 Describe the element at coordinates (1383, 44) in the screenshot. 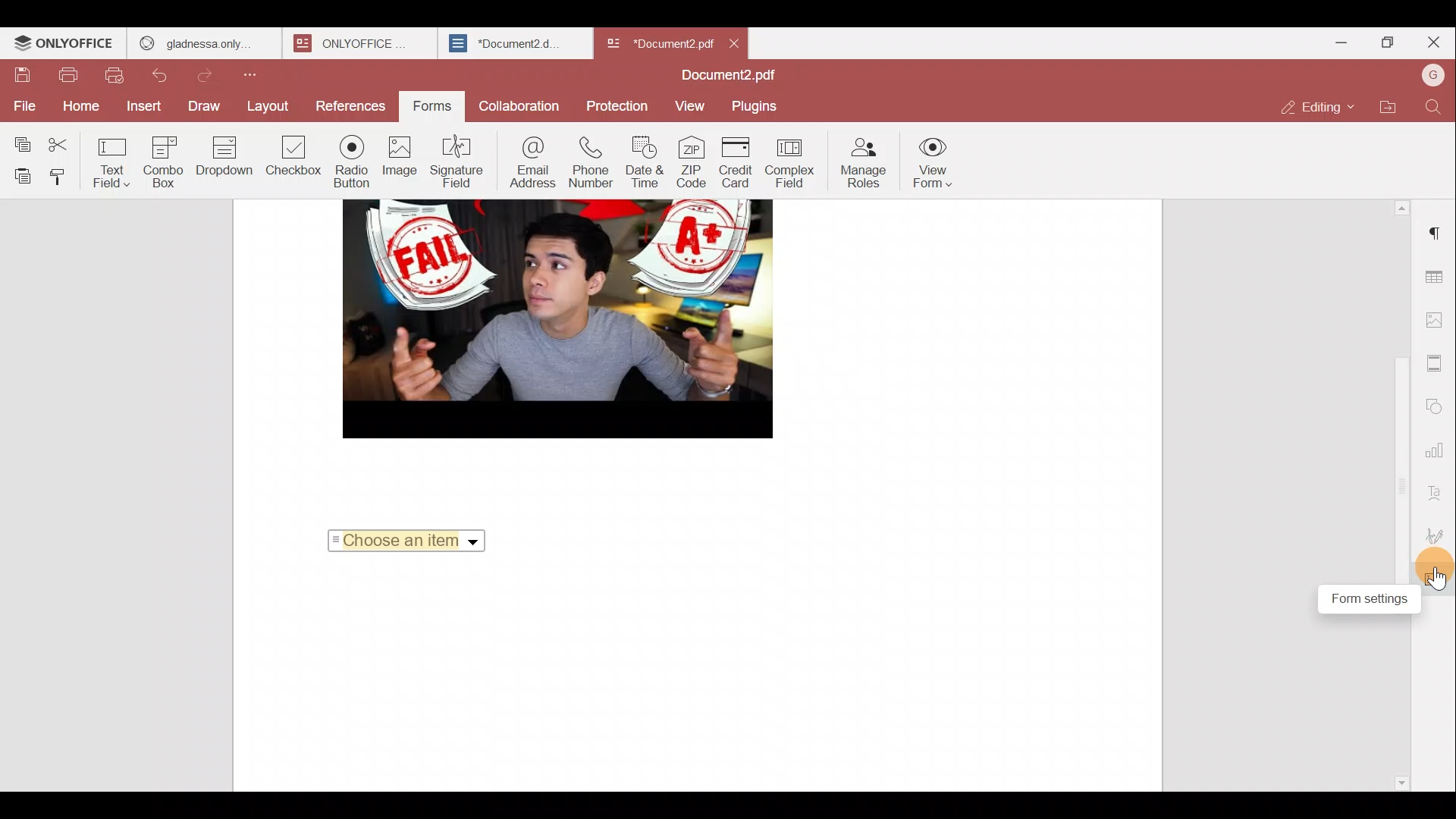

I see `Maximize` at that location.